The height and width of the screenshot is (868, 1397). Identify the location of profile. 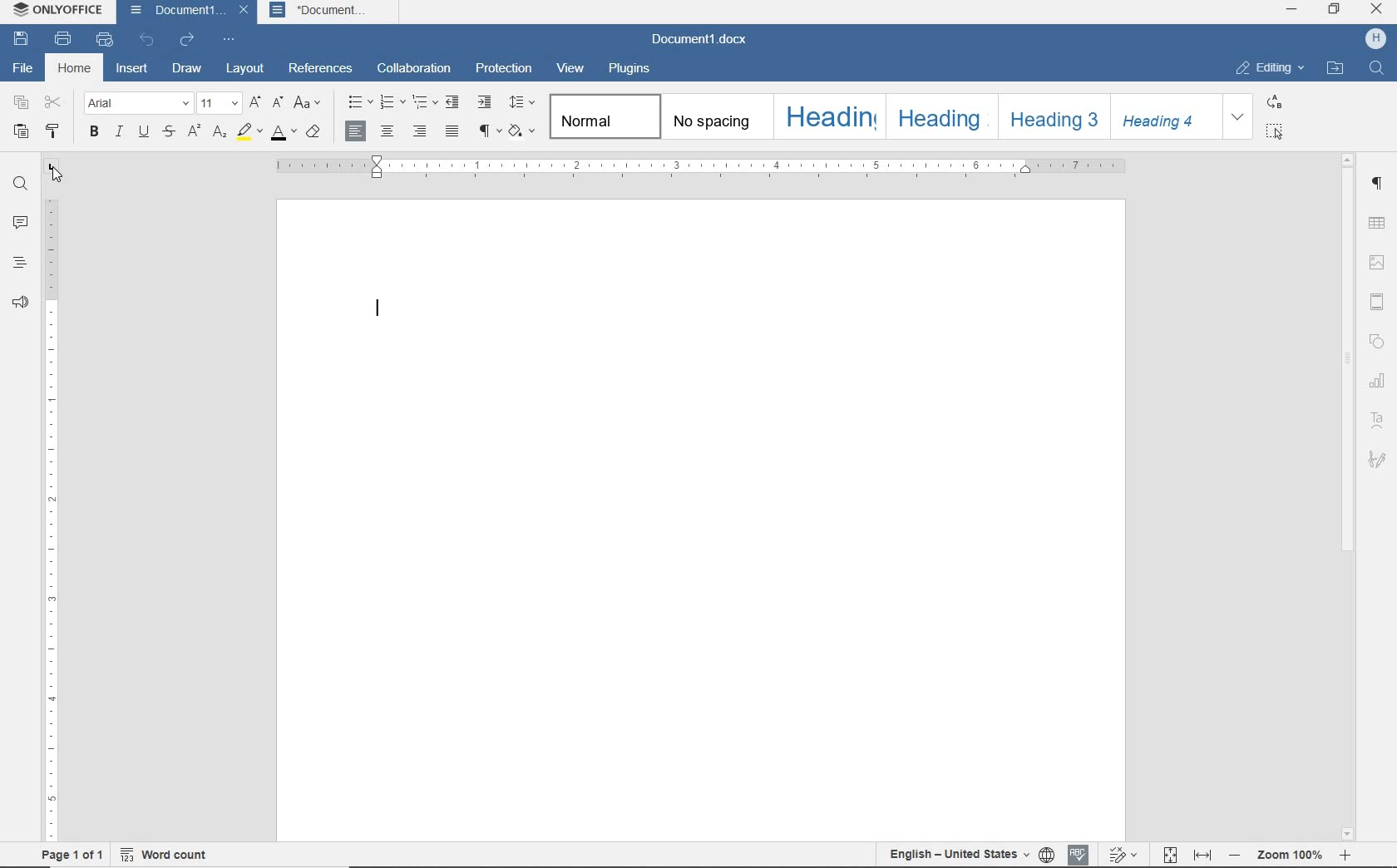
(1375, 40).